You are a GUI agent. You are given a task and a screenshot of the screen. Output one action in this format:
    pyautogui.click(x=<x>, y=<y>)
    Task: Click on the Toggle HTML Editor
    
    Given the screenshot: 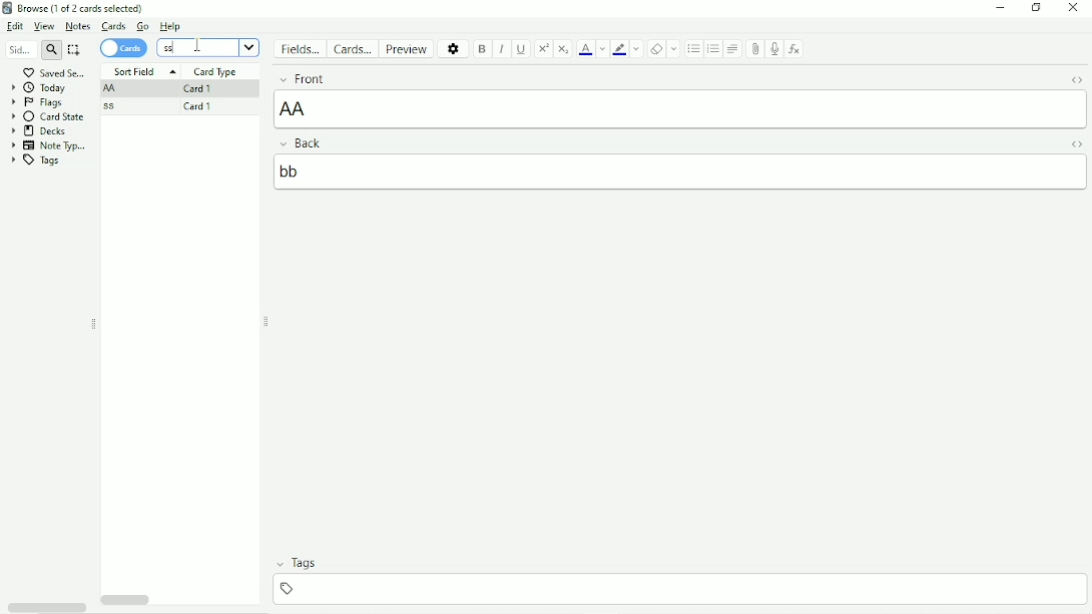 What is the action you would take?
    pyautogui.click(x=1076, y=145)
    